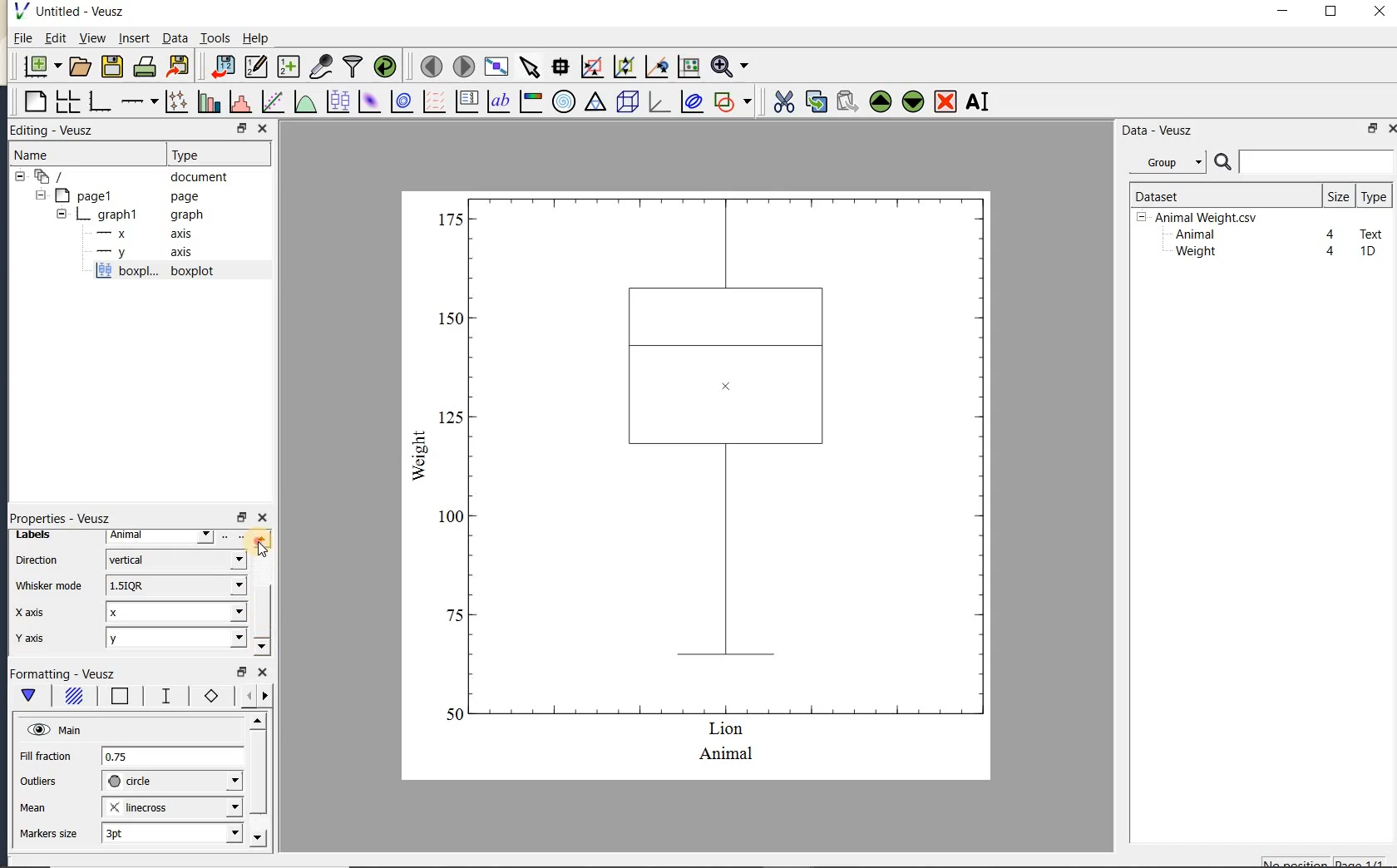 The image size is (1397, 868). What do you see at coordinates (72, 697) in the screenshot?
I see `box fill` at bounding box center [72, 697].